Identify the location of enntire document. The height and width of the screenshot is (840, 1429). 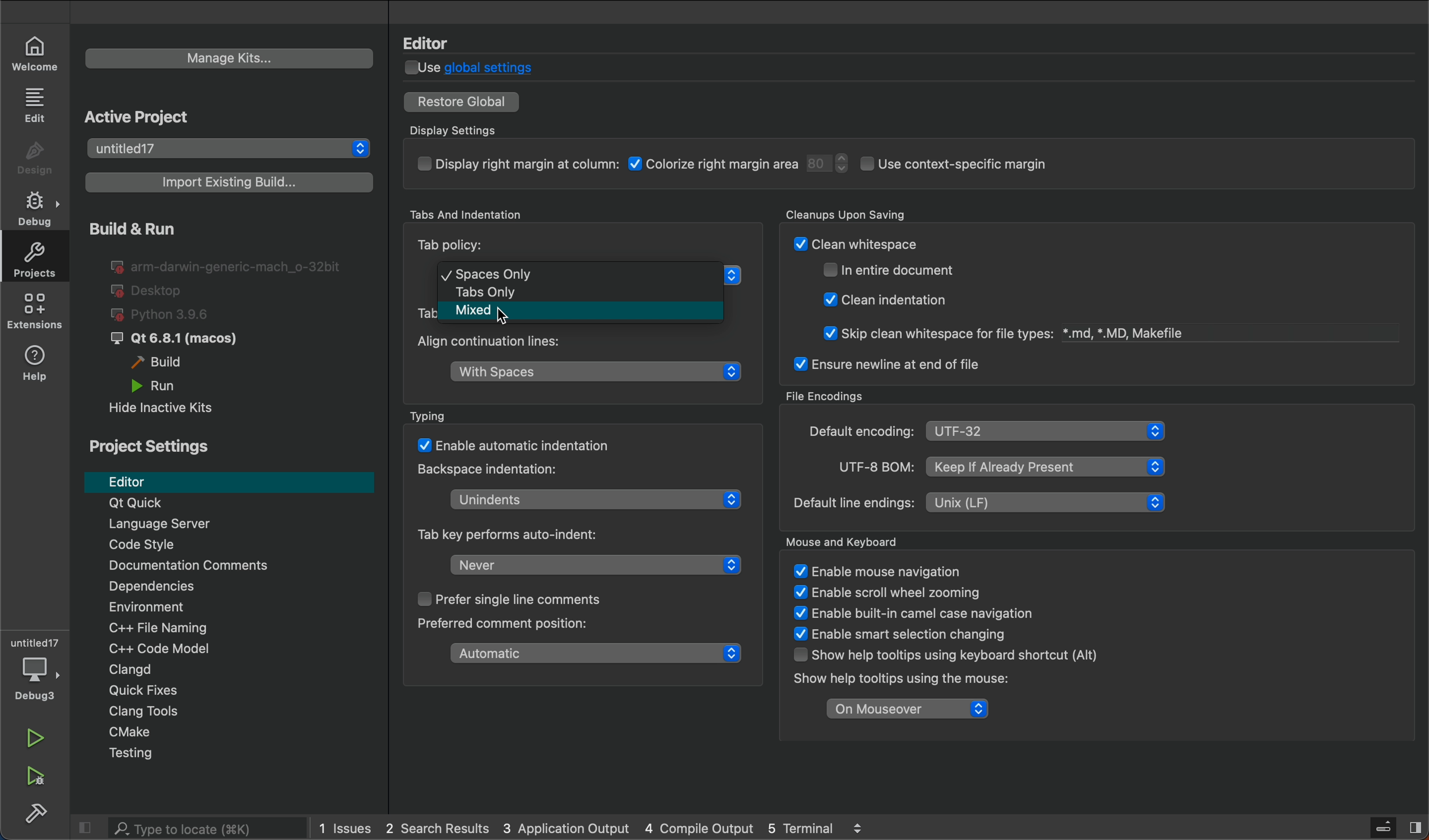
(897, 270).